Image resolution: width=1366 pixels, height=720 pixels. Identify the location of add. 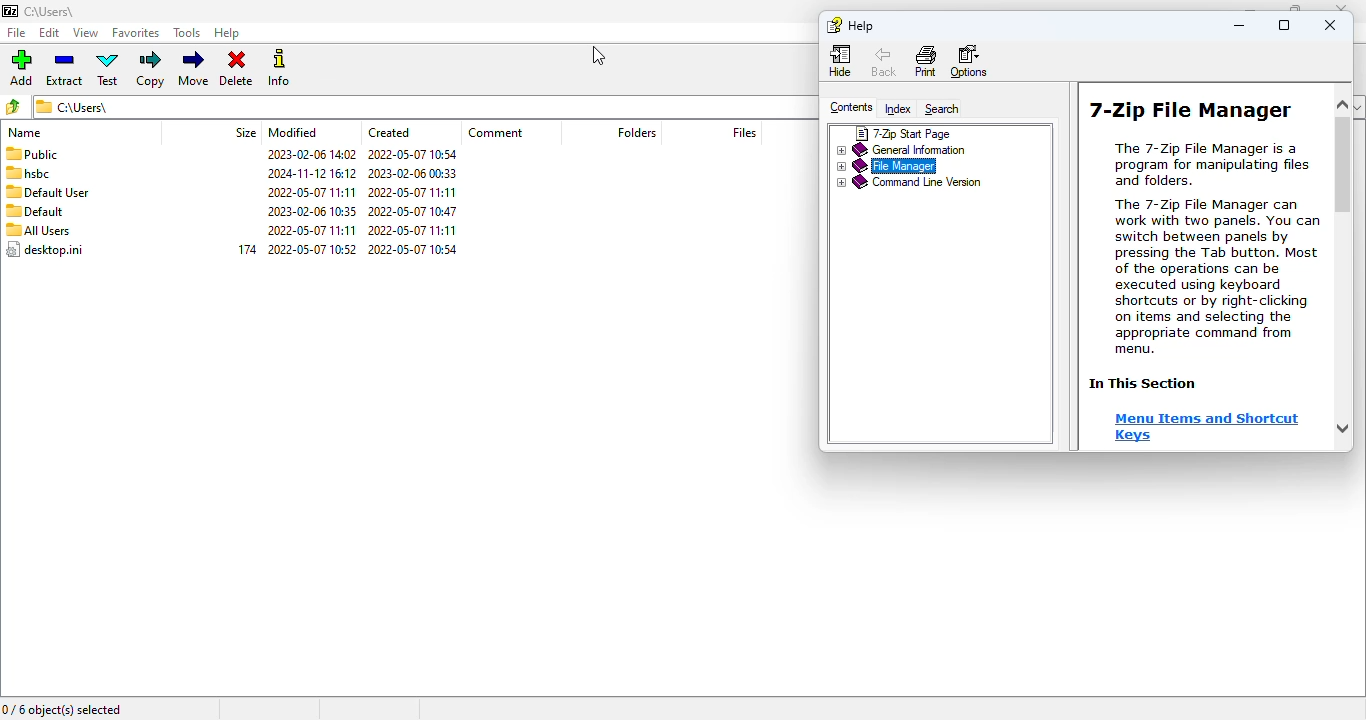
(21, 68).